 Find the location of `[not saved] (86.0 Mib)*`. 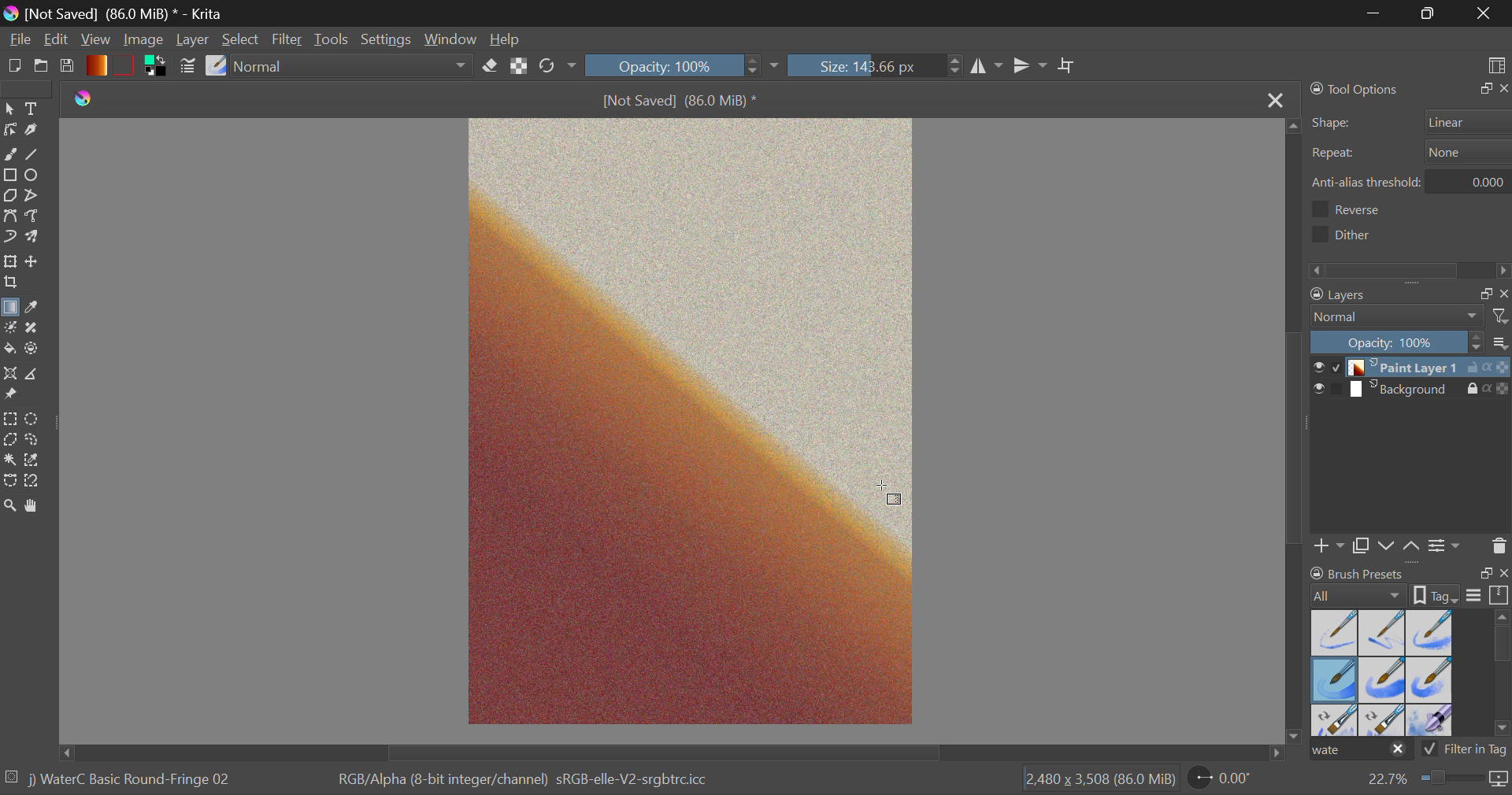

[not saved] (86.0 Mib)* is located at coordinates (682, 99).